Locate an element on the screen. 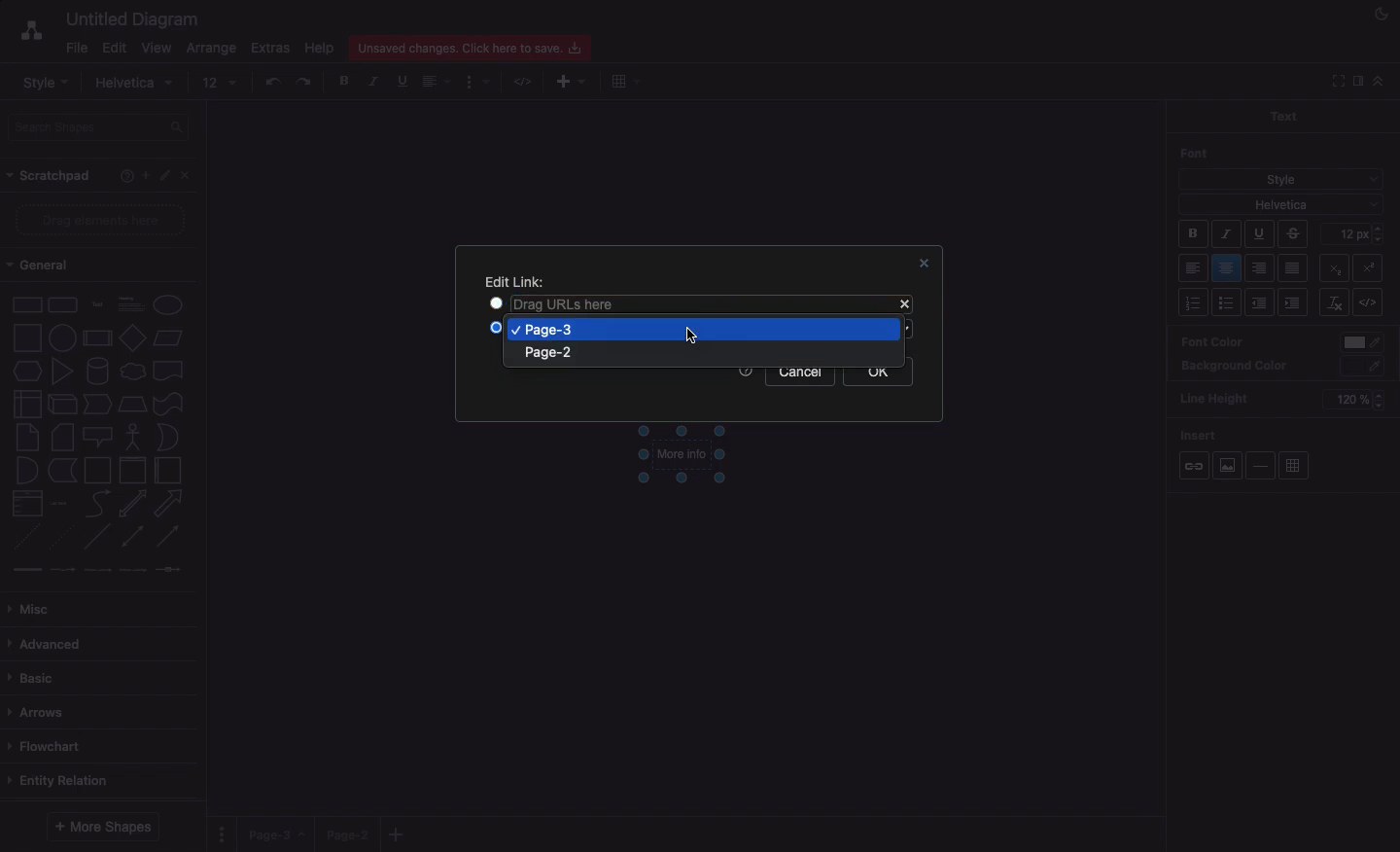 The image size is (1400, 852). File is located at coordinates (75, 47).